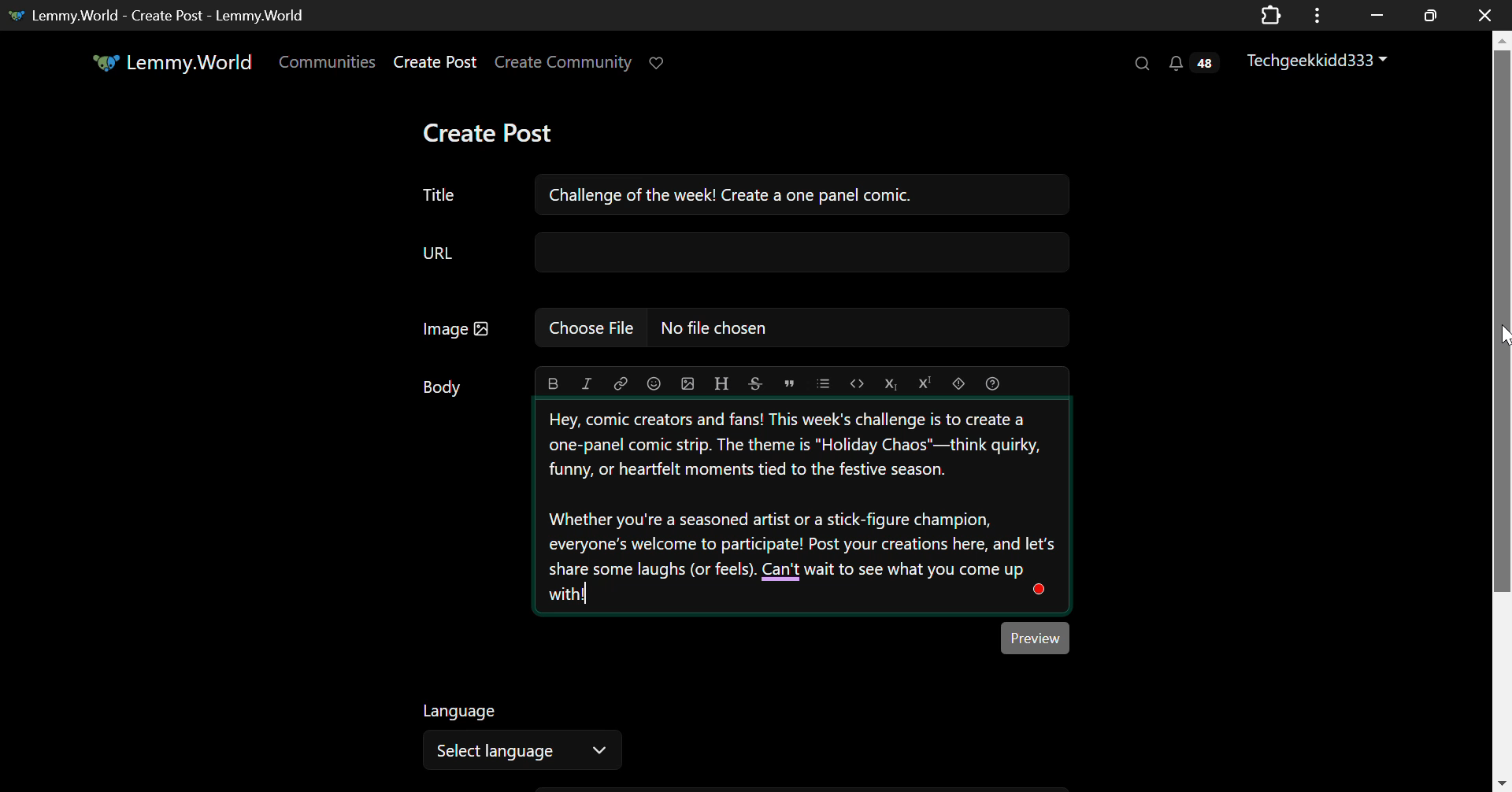 The width and height of the screenshot is (1512, 792). What do you see at coordinates (1377, 13) in the screenshot?
I see `Restore Down` at bounding box center [1377, 13].